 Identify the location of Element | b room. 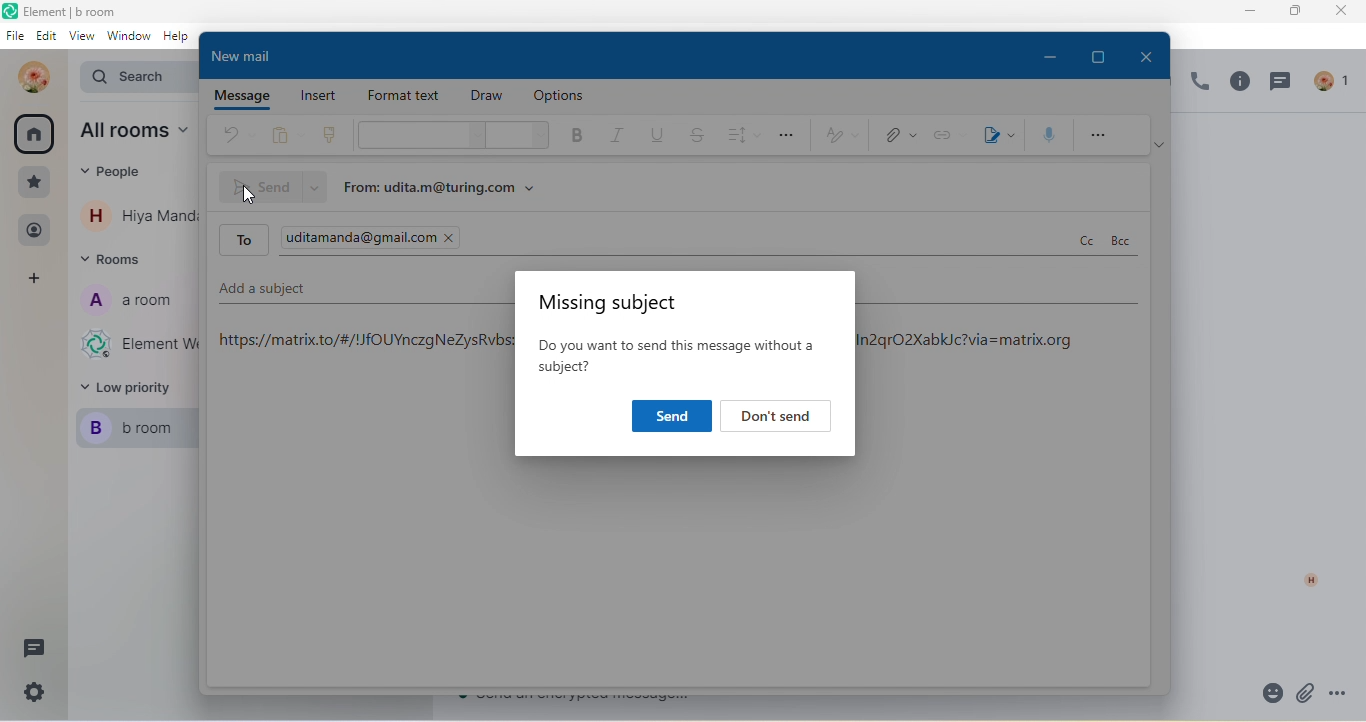
(82, 11).